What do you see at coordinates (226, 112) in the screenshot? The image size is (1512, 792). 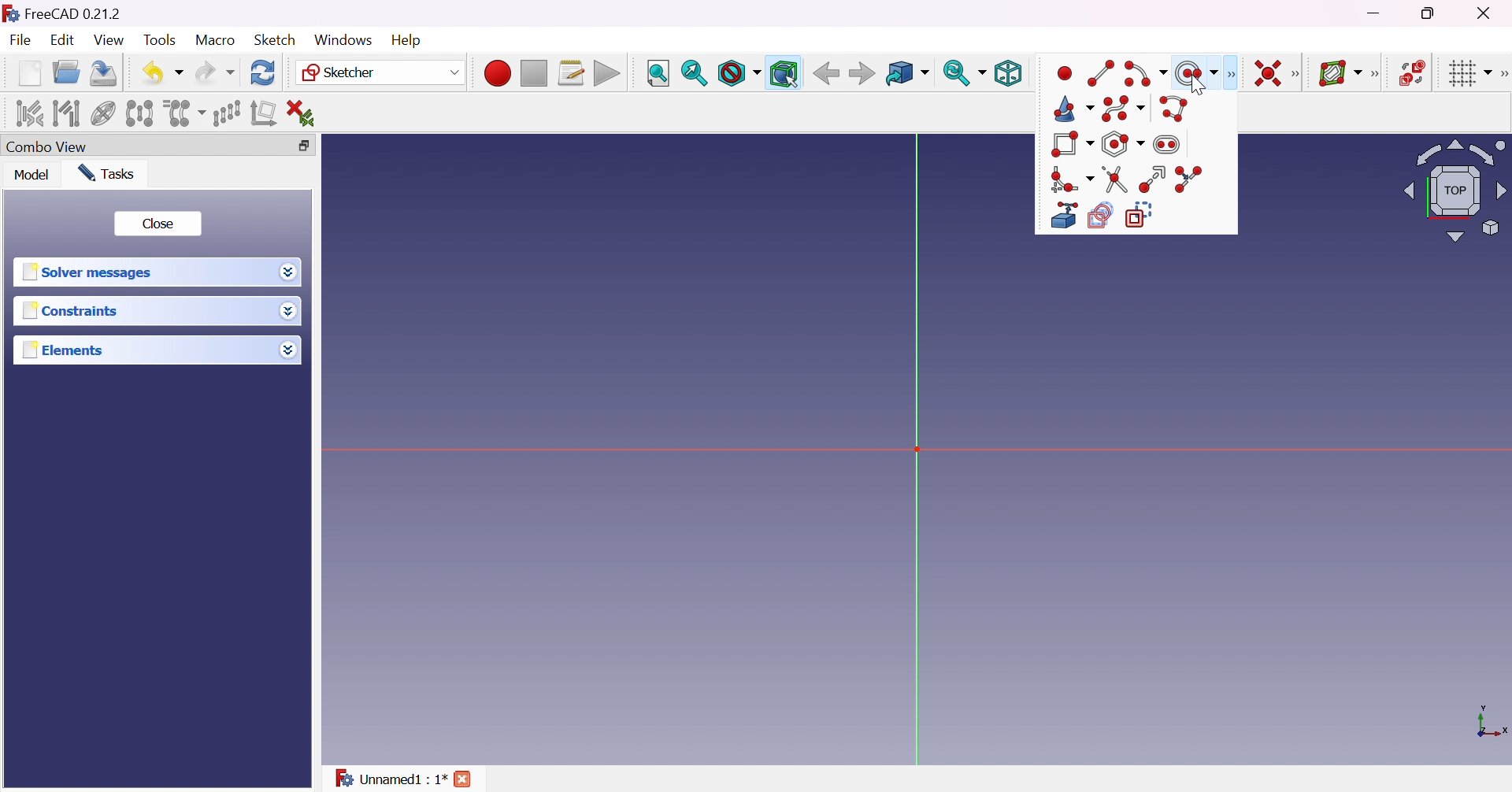 I see `Rectangular array` at bounding box center [226, 112].